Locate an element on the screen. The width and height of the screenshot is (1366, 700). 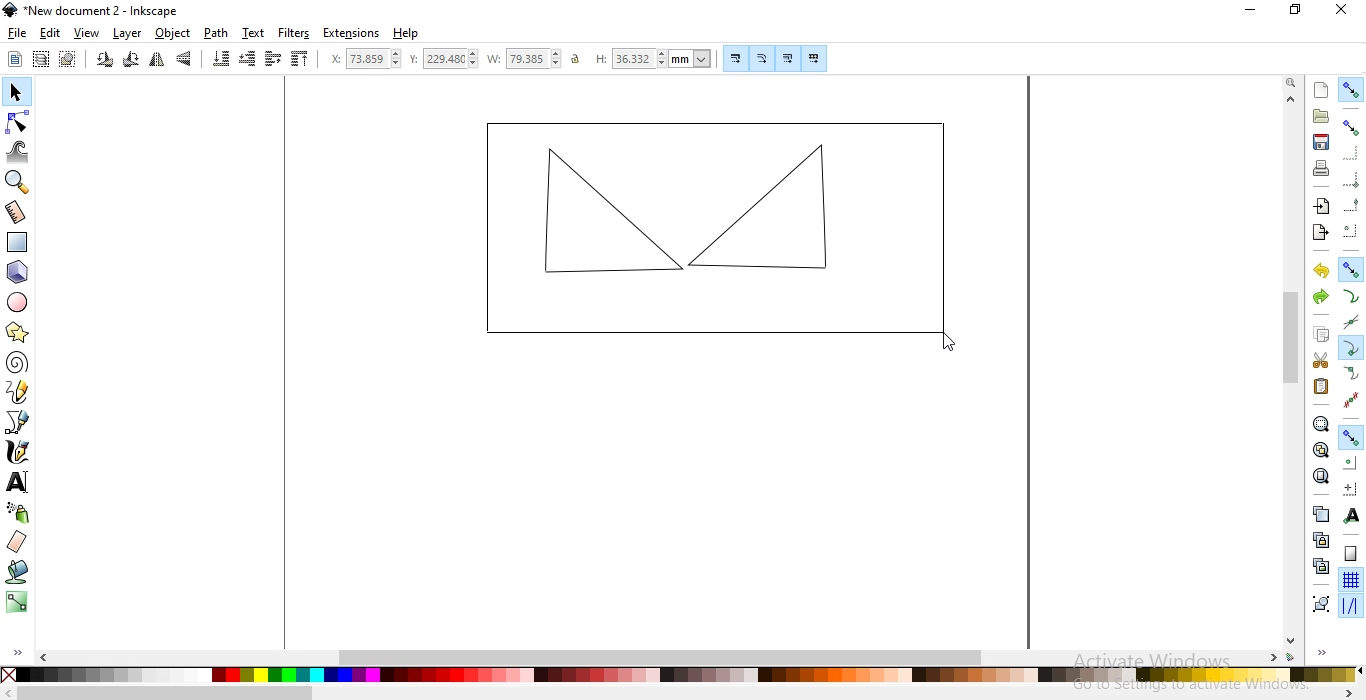
snap centers of objects is located at coordinates (1351, 462).